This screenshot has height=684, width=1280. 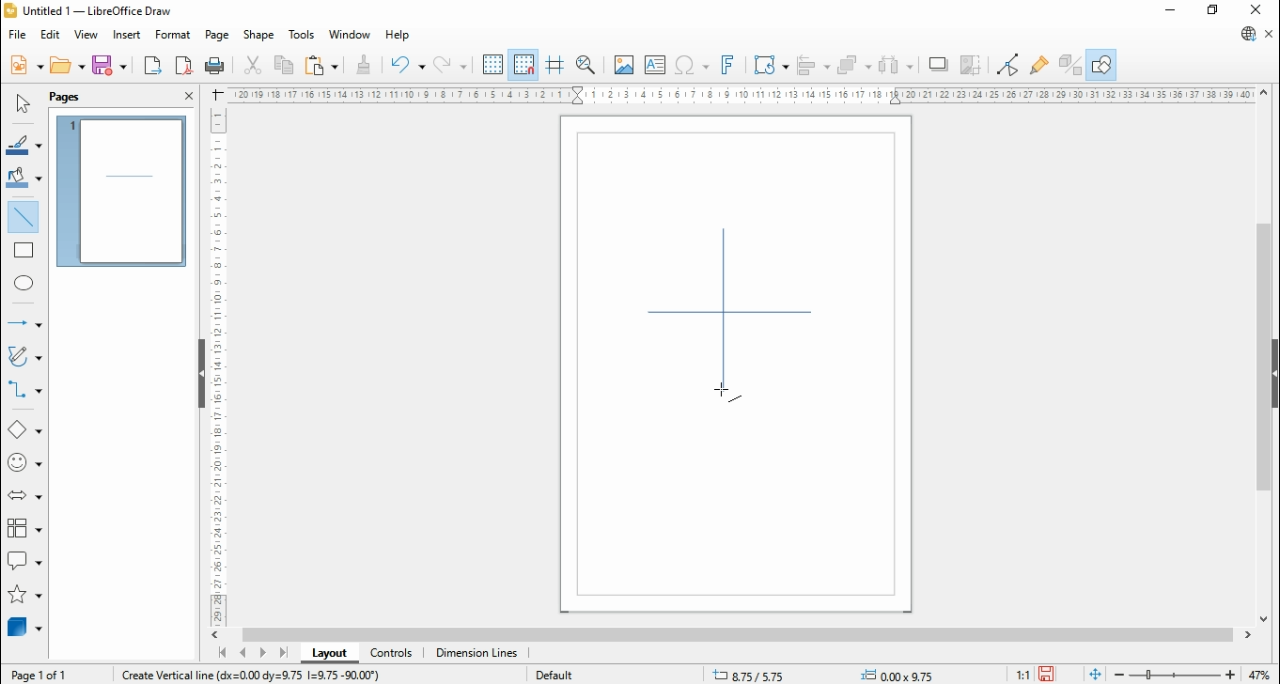 What do you see at coordinates (477, 654) in the screenshot?
I see `dimension lines` at bounding box center [477, 654].